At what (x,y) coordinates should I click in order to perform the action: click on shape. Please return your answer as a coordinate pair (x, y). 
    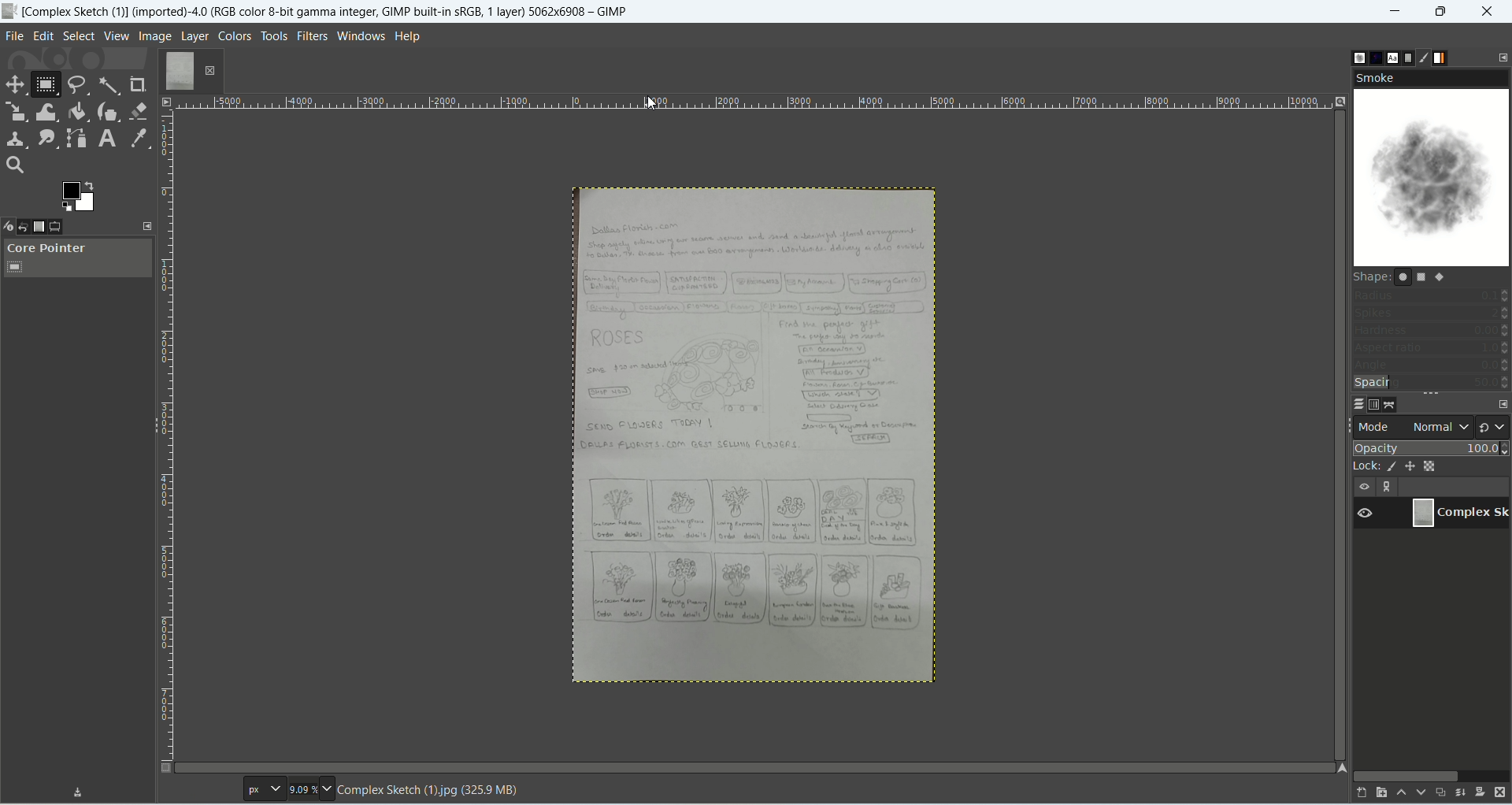
    Looking at the image, I should click on (1432, 276).